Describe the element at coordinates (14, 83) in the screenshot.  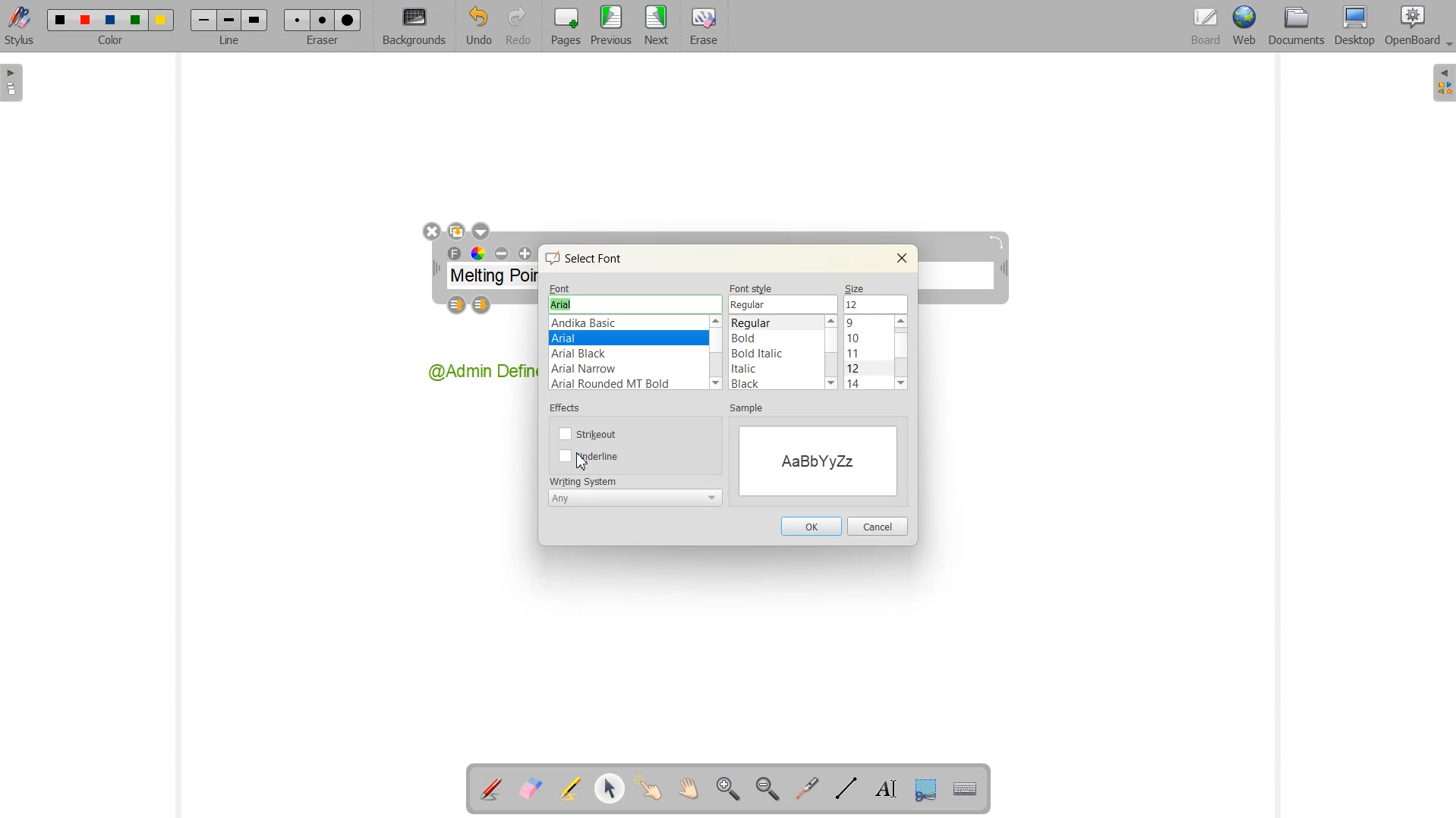
I see `Sidebar` at that location.